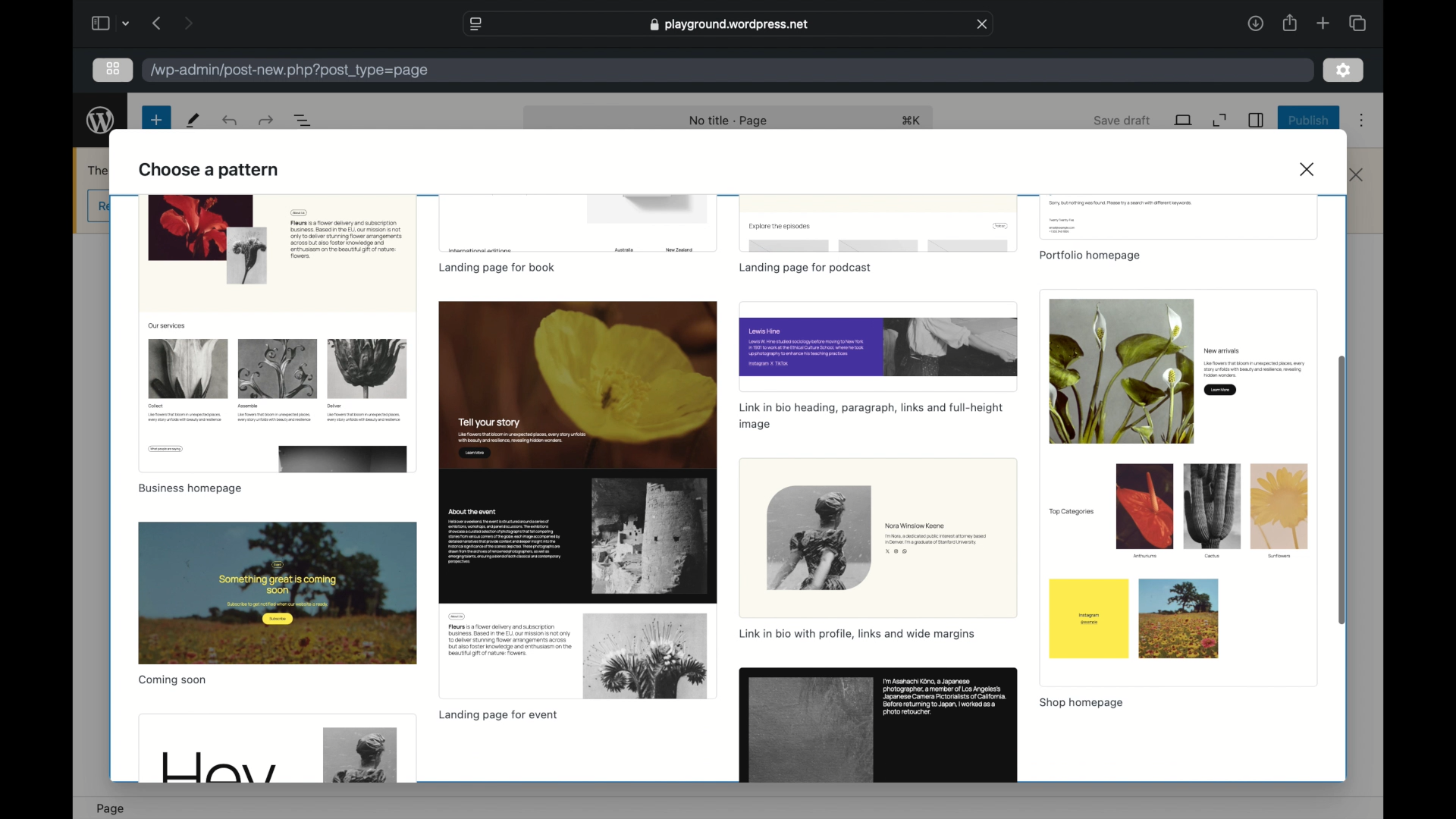  What do you see at coordinates (1344, 71) in the screenshot?
I see `settings` at bounding box center [1344, 71].